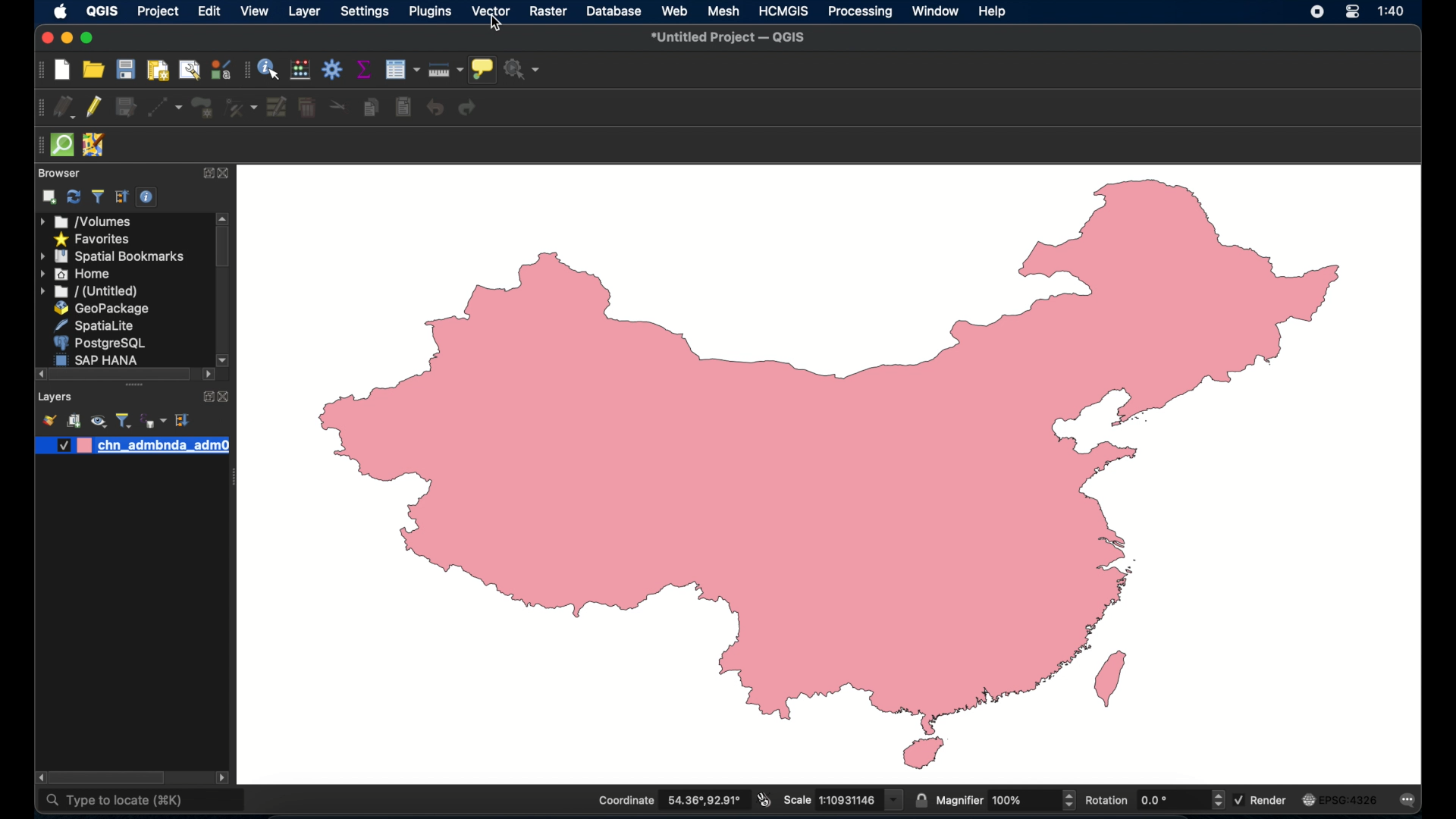 The image size is (1456, 819). Describe the element at coordinates (994, 13) in the screenshot. I see `help` at that location.